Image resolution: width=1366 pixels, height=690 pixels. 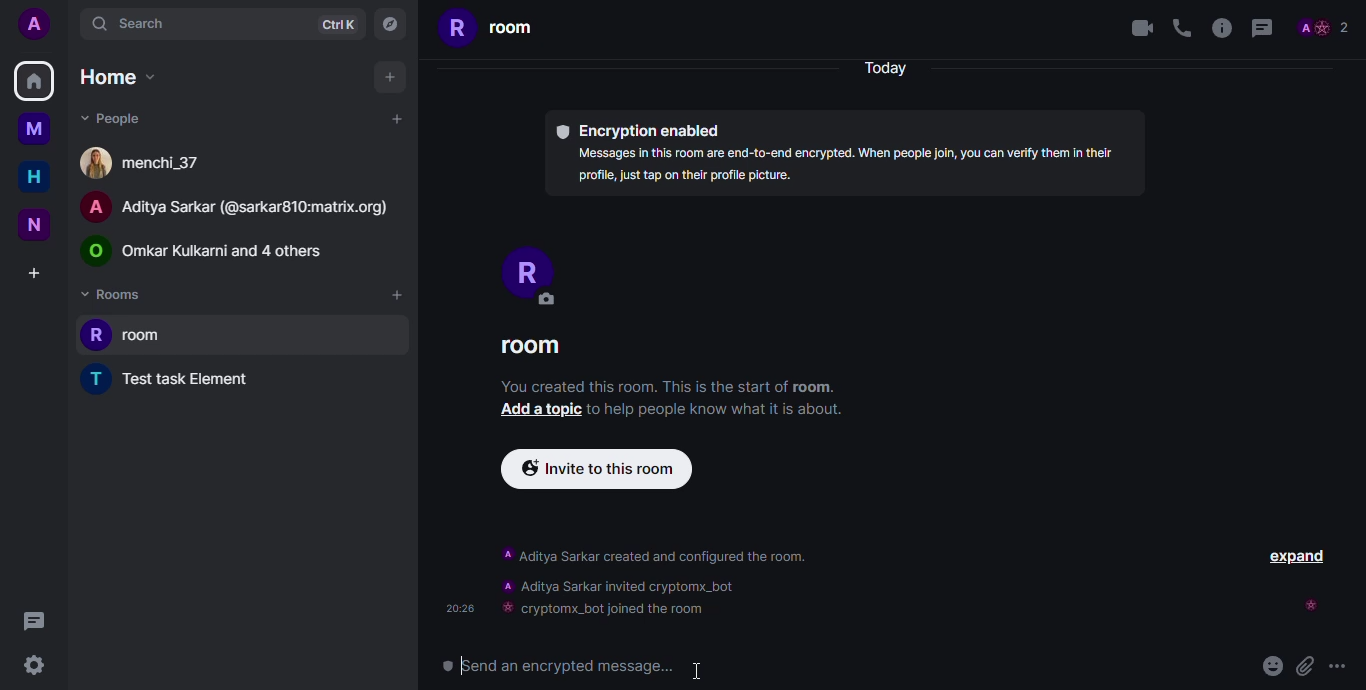 I want to click on navigator, so click(x=389, y=24).